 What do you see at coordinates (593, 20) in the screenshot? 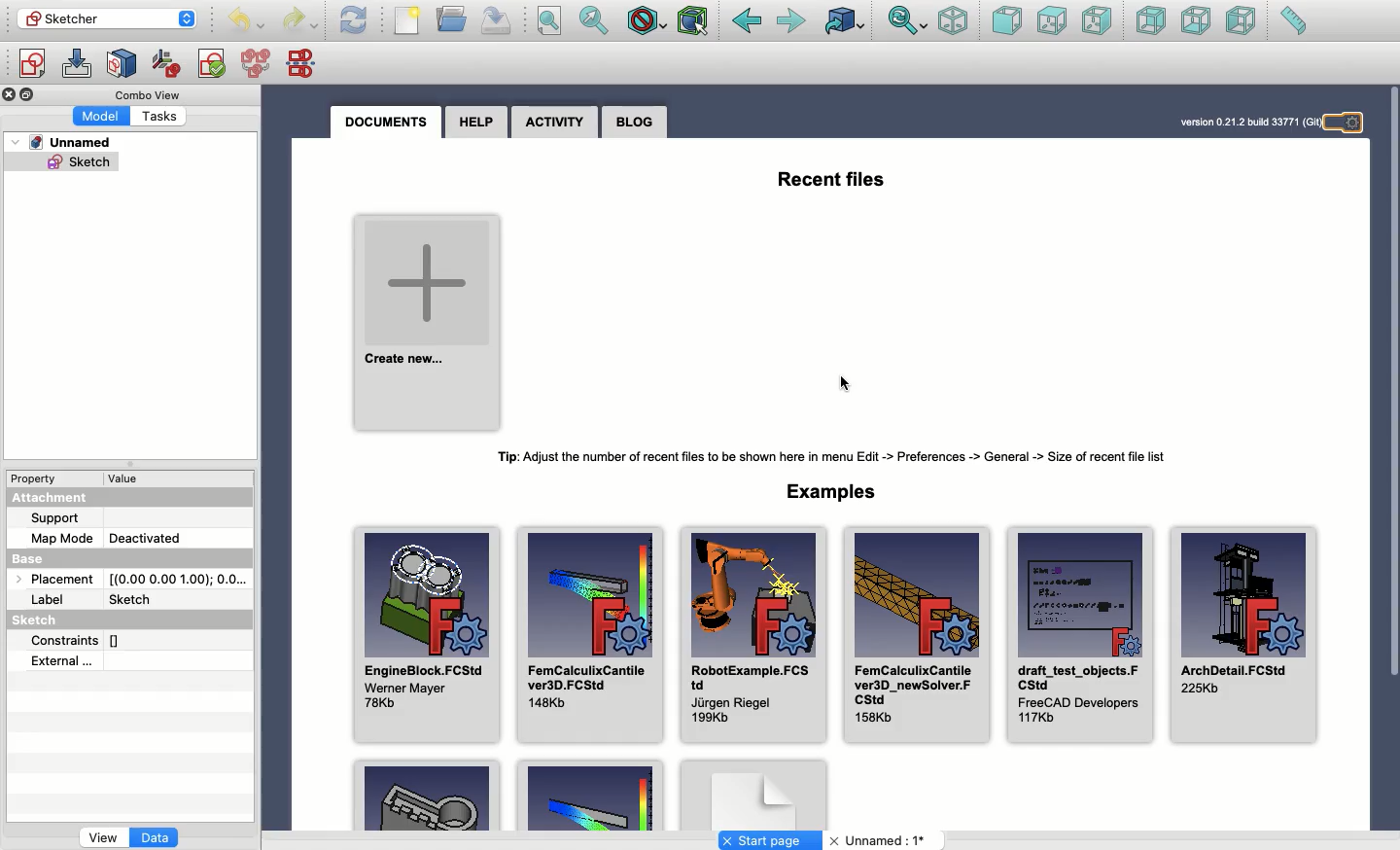
I see `Fit selection` at bounding box center [593, 20].